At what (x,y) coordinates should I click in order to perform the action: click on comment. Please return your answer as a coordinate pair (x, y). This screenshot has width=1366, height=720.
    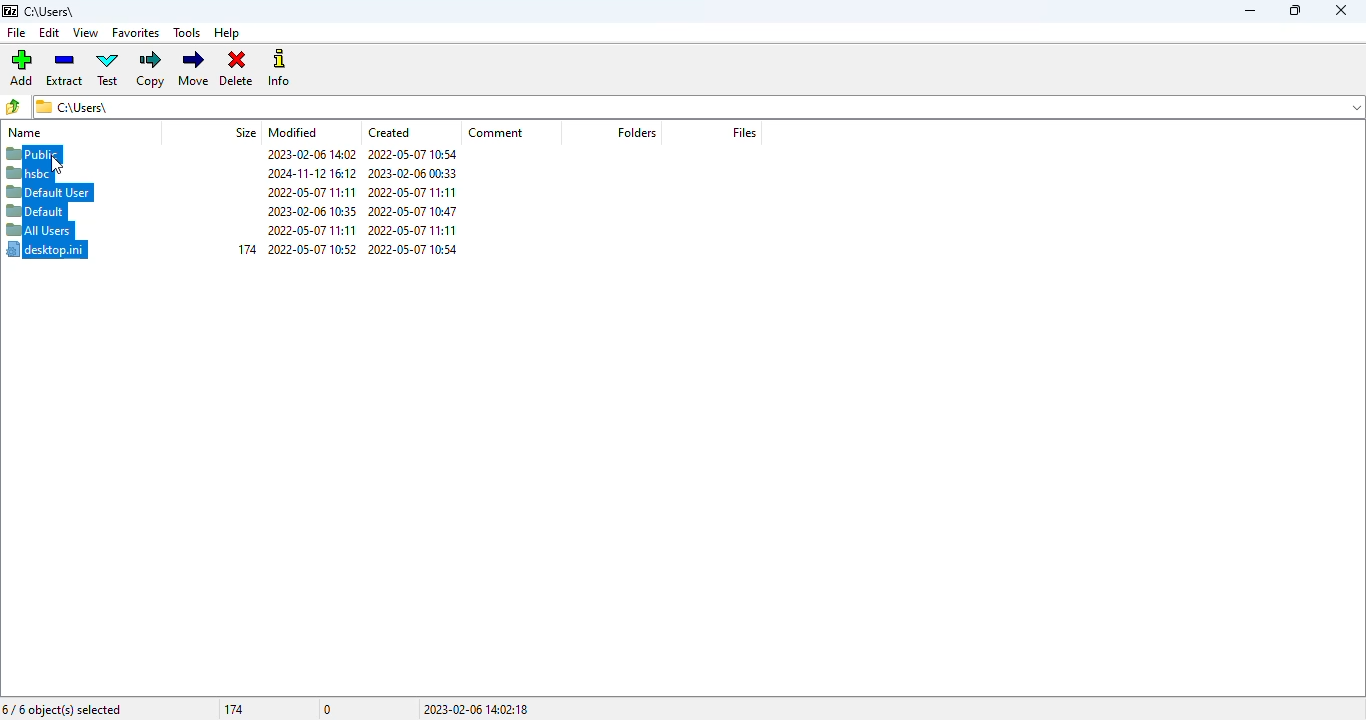
    Looking at the image, I should click on (496, 134).